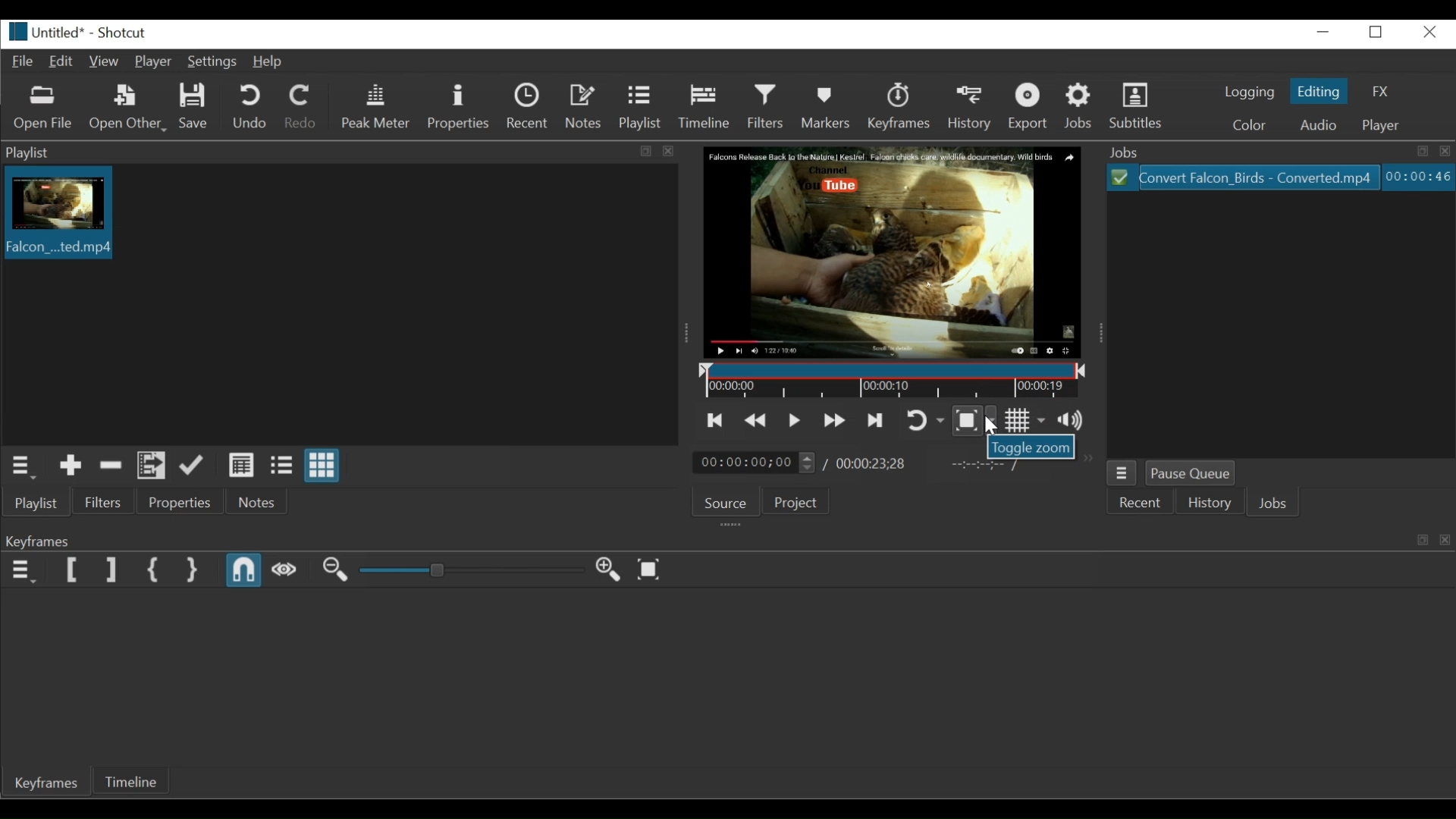  Describe the element at coordinates (121, 32) in the screenshot. I see `Shotcut` at that location.